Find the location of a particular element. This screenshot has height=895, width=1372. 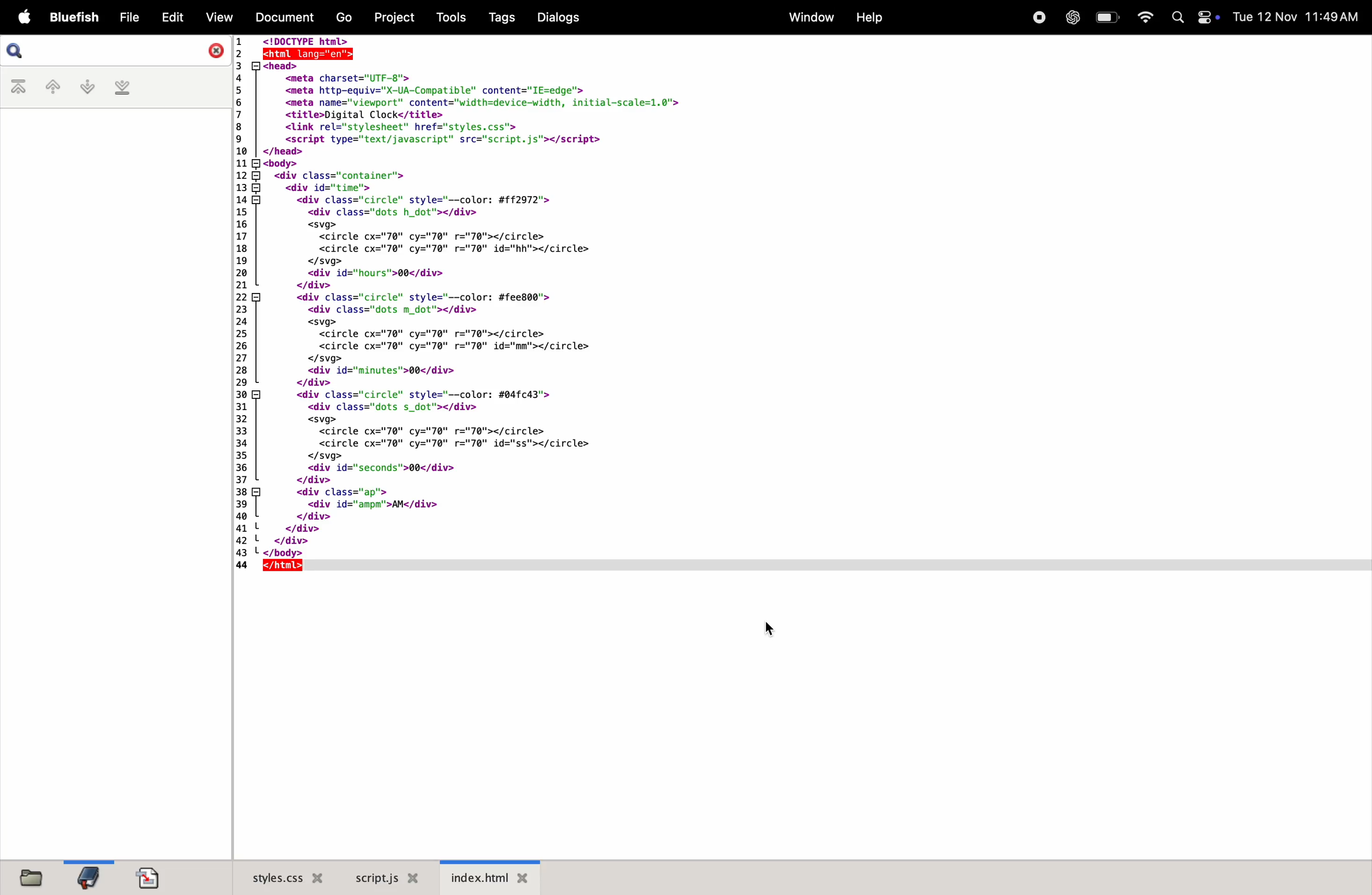

close is located at coordinates (214, 51).